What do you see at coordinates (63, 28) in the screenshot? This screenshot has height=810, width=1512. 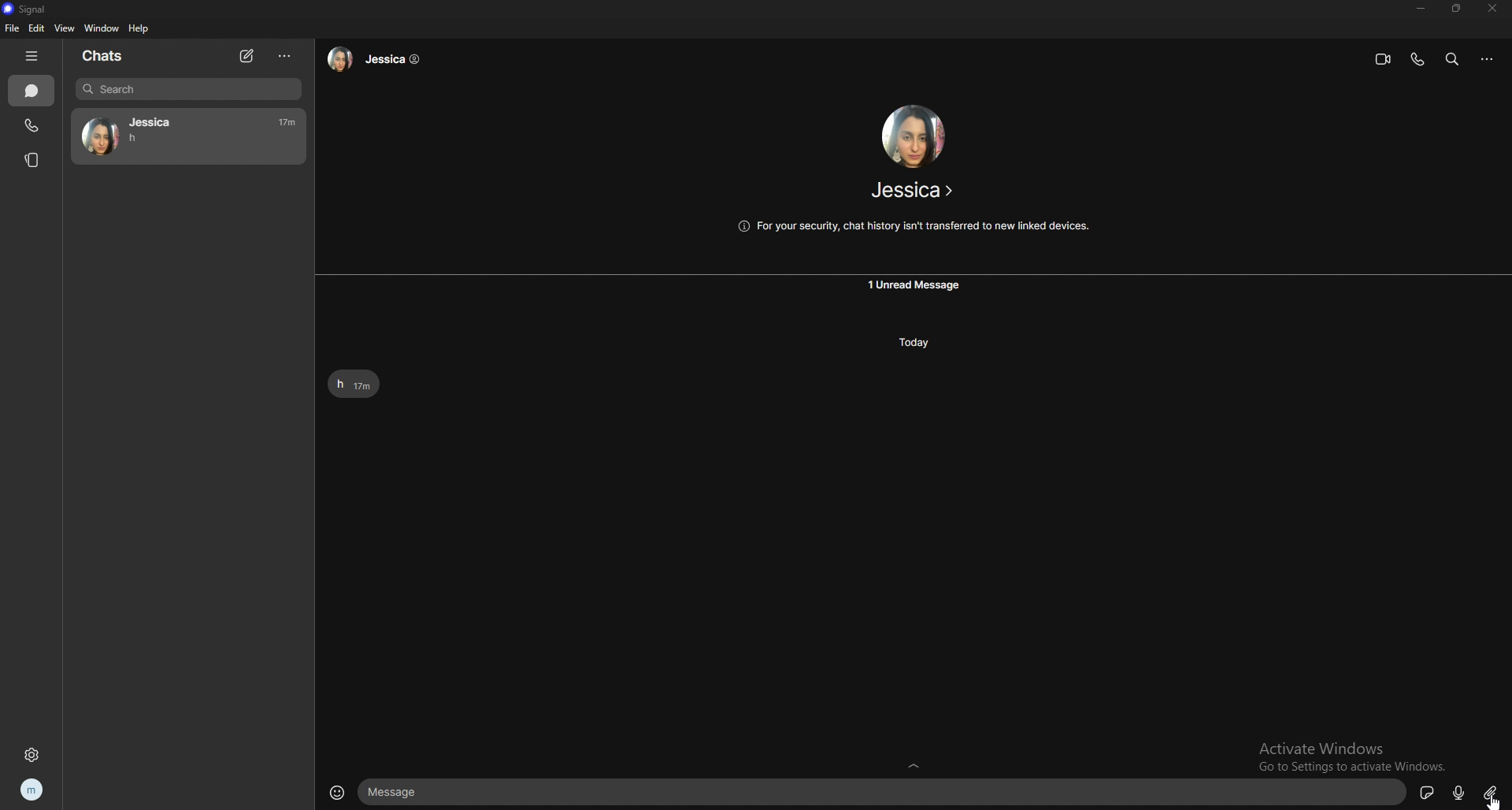 I see `view` at bounding box center [63, 28].